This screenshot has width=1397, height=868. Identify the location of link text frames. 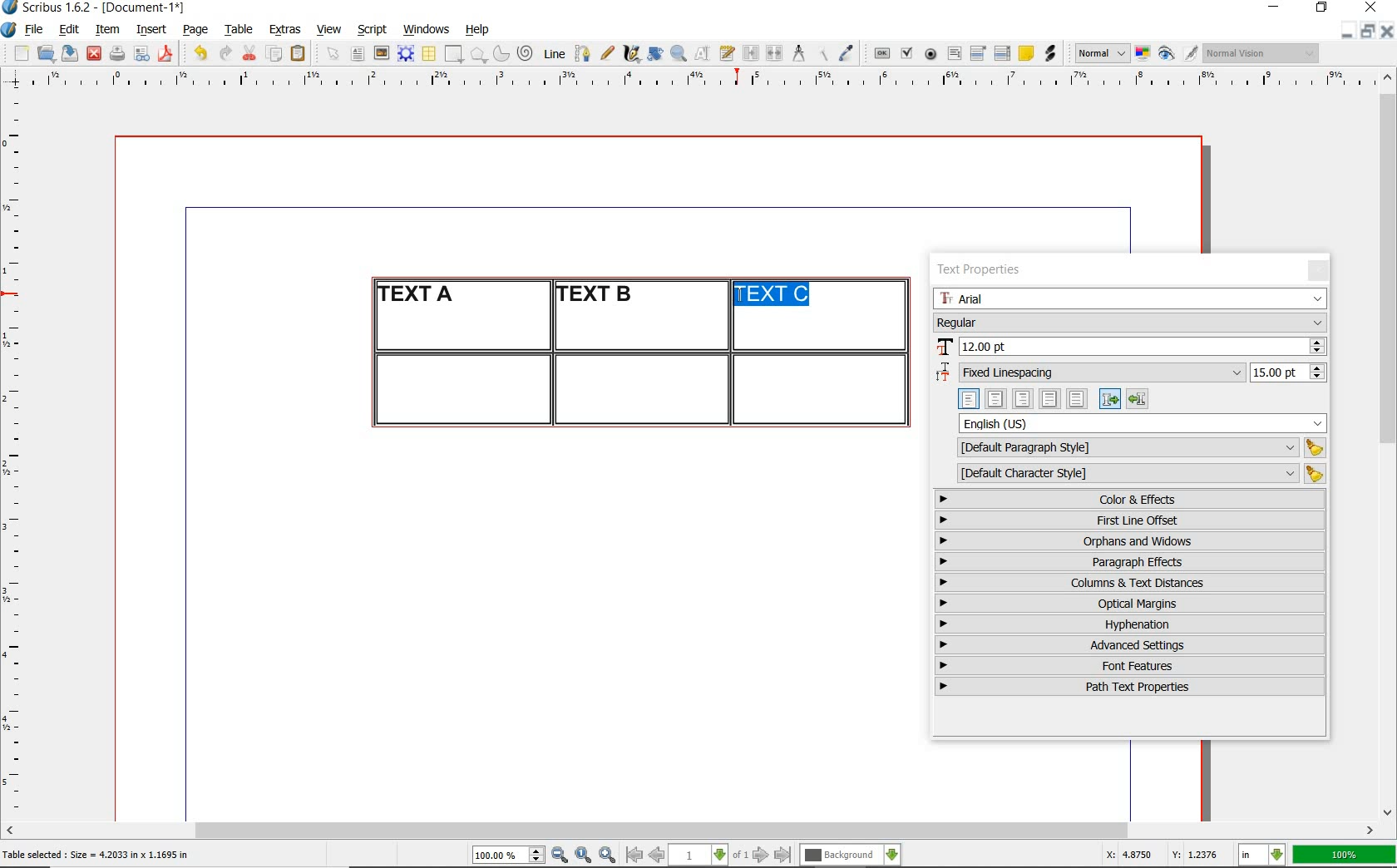
(752, 55).